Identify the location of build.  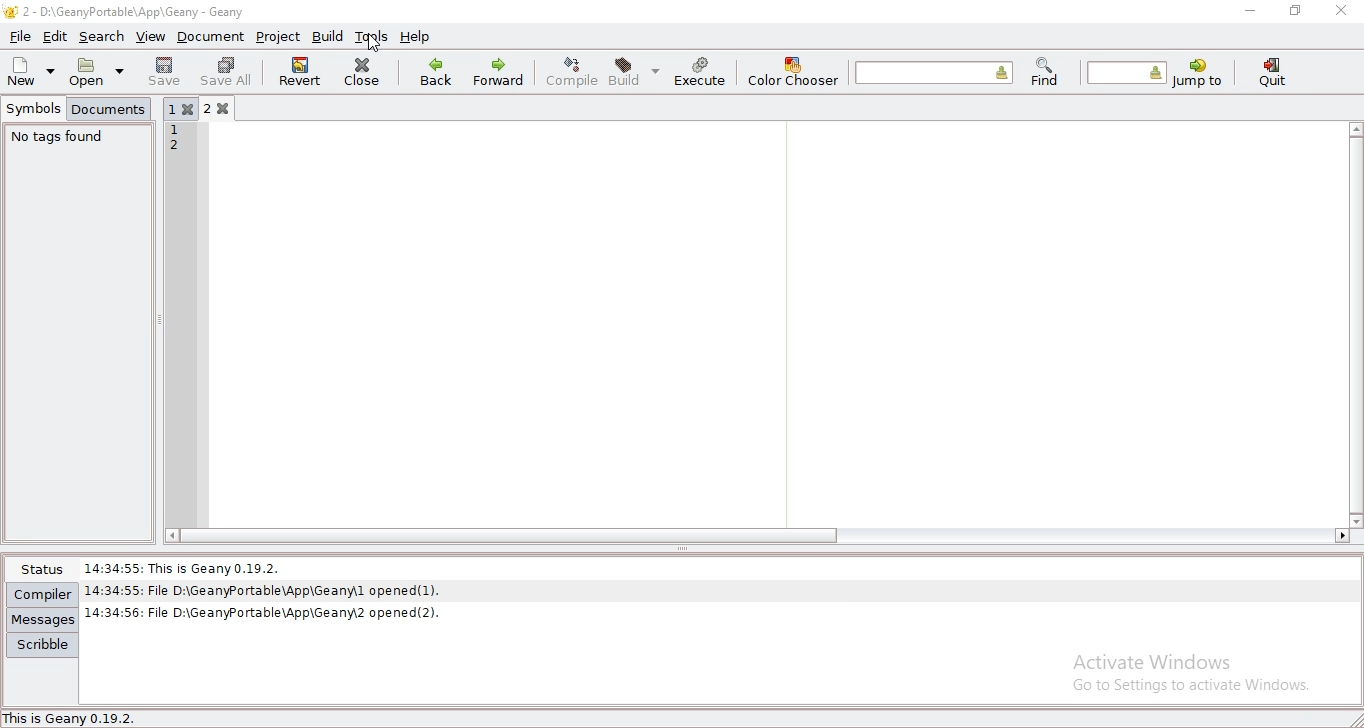
(631, 71).